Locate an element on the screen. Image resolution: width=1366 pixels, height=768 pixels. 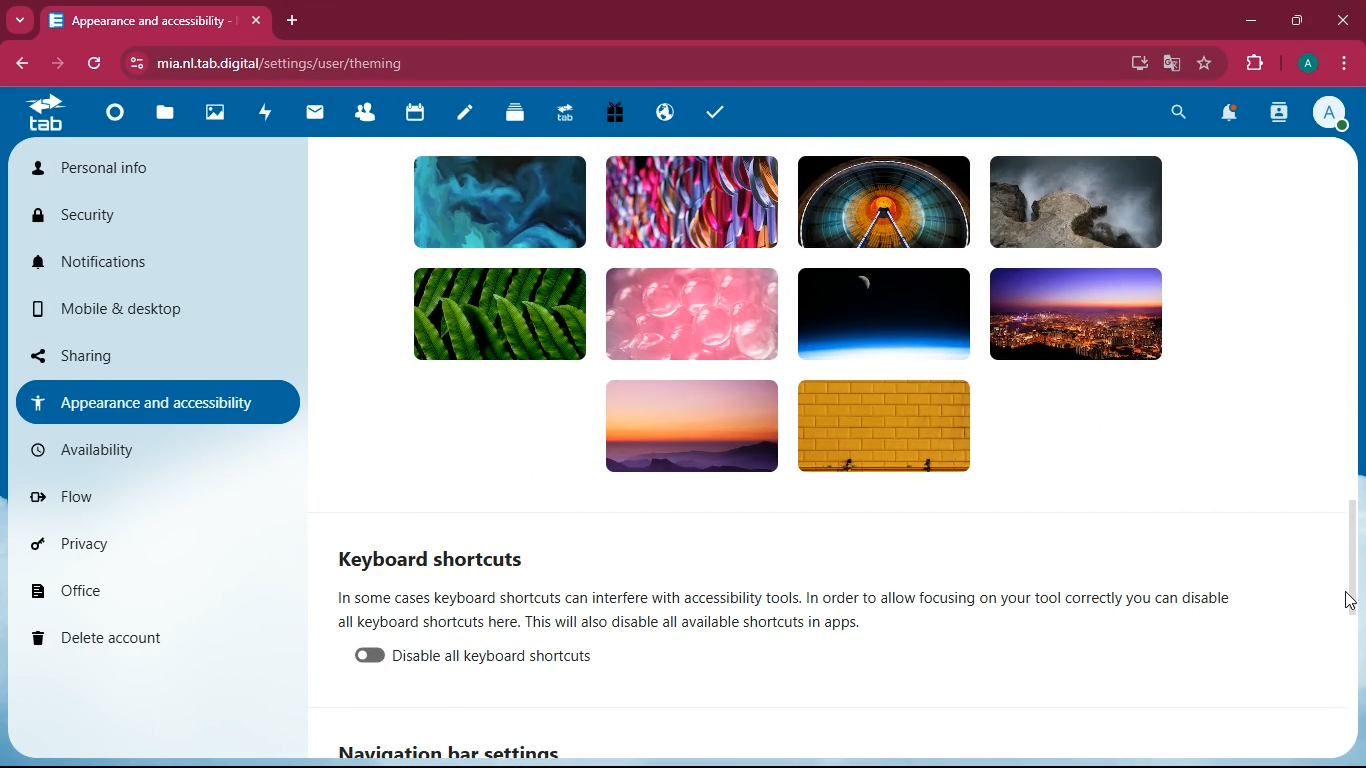
cursor is located at coordinates (1341, 604).